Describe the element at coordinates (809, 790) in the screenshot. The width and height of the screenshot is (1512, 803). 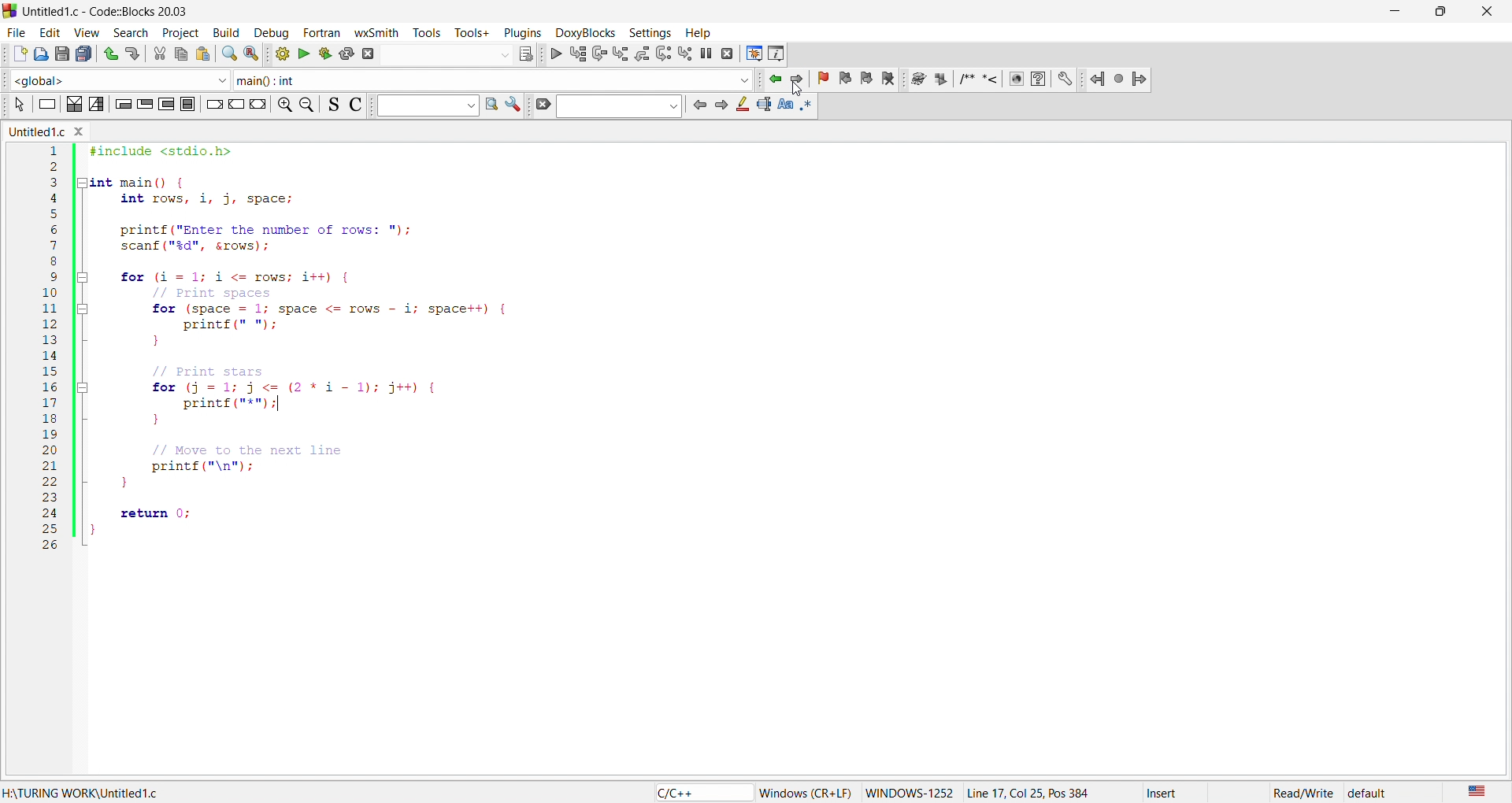
I see `‘Windows (CR+LF) ` at that location.